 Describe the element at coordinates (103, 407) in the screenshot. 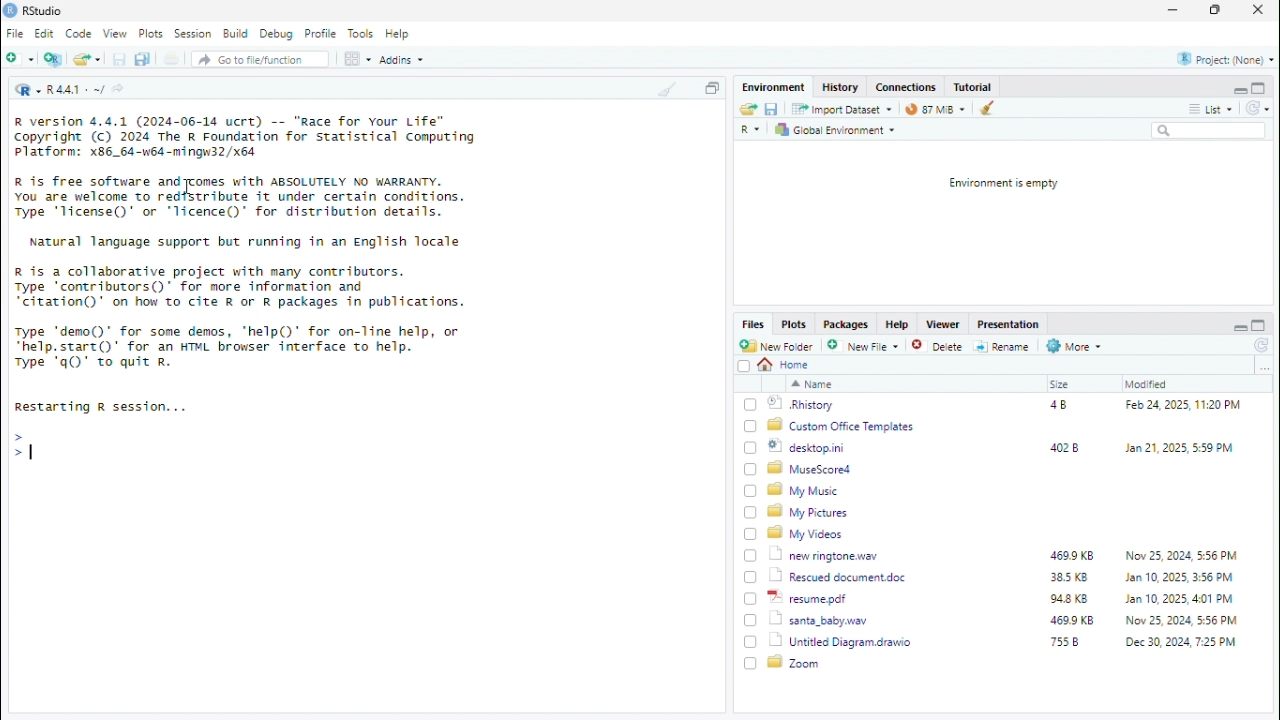

I see `Restarting R session...` at that location.